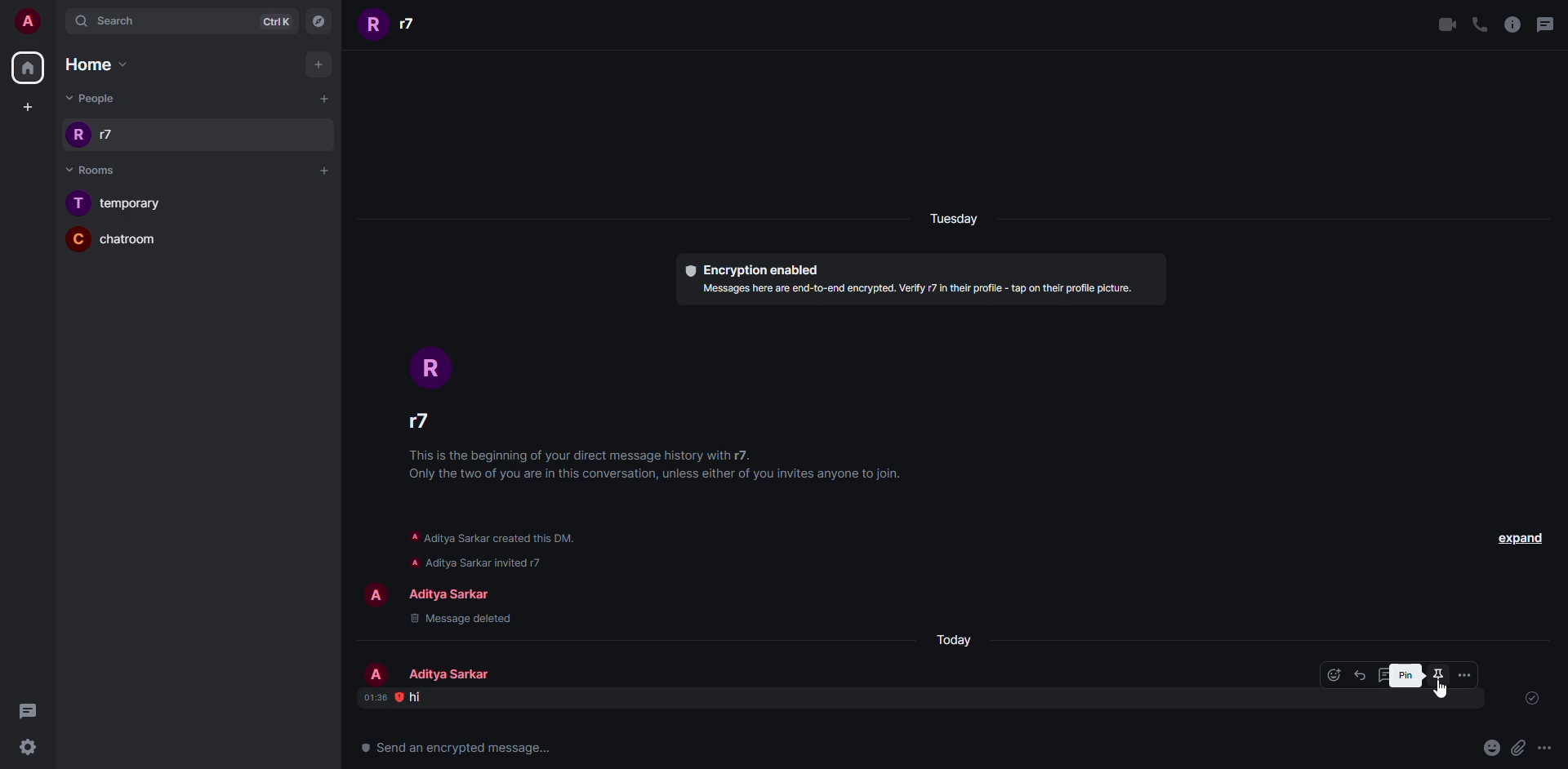 The width and height of the screenshot is (1568, 769). Describe the element at coordinates (502, 546) in the screenshot. I see `info` at that location.